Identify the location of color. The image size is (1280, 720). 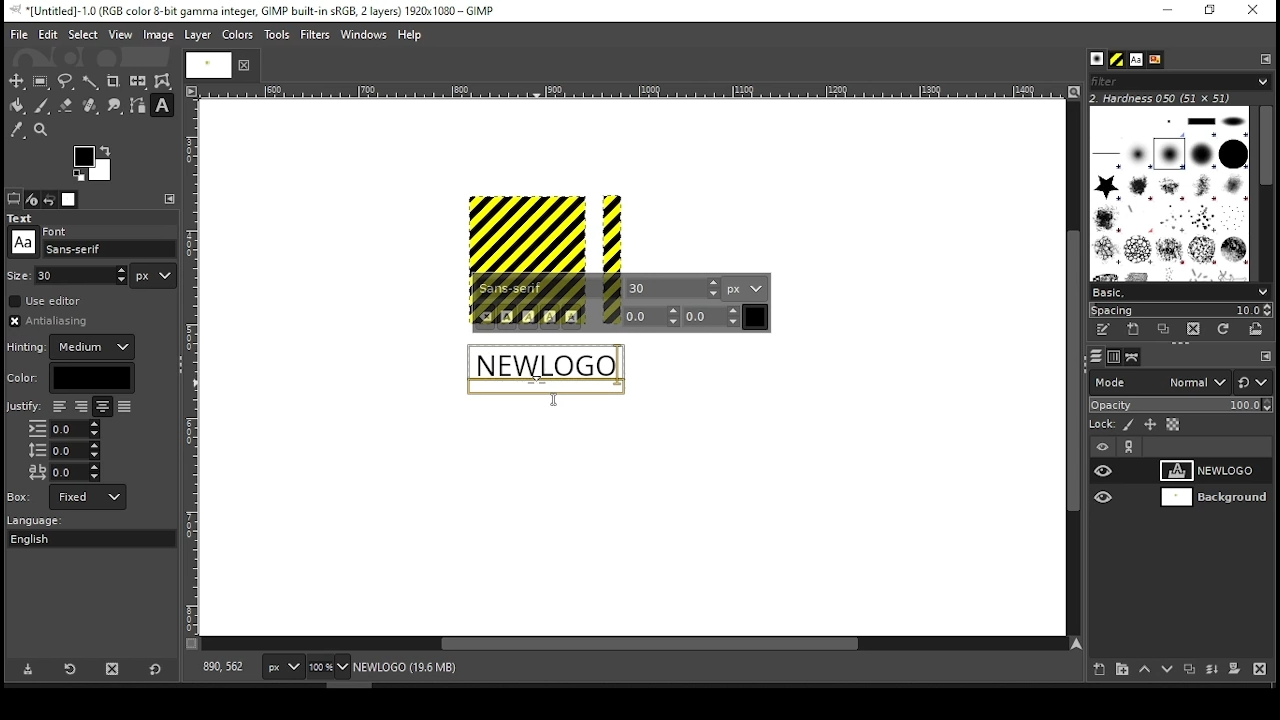
(238, 34).